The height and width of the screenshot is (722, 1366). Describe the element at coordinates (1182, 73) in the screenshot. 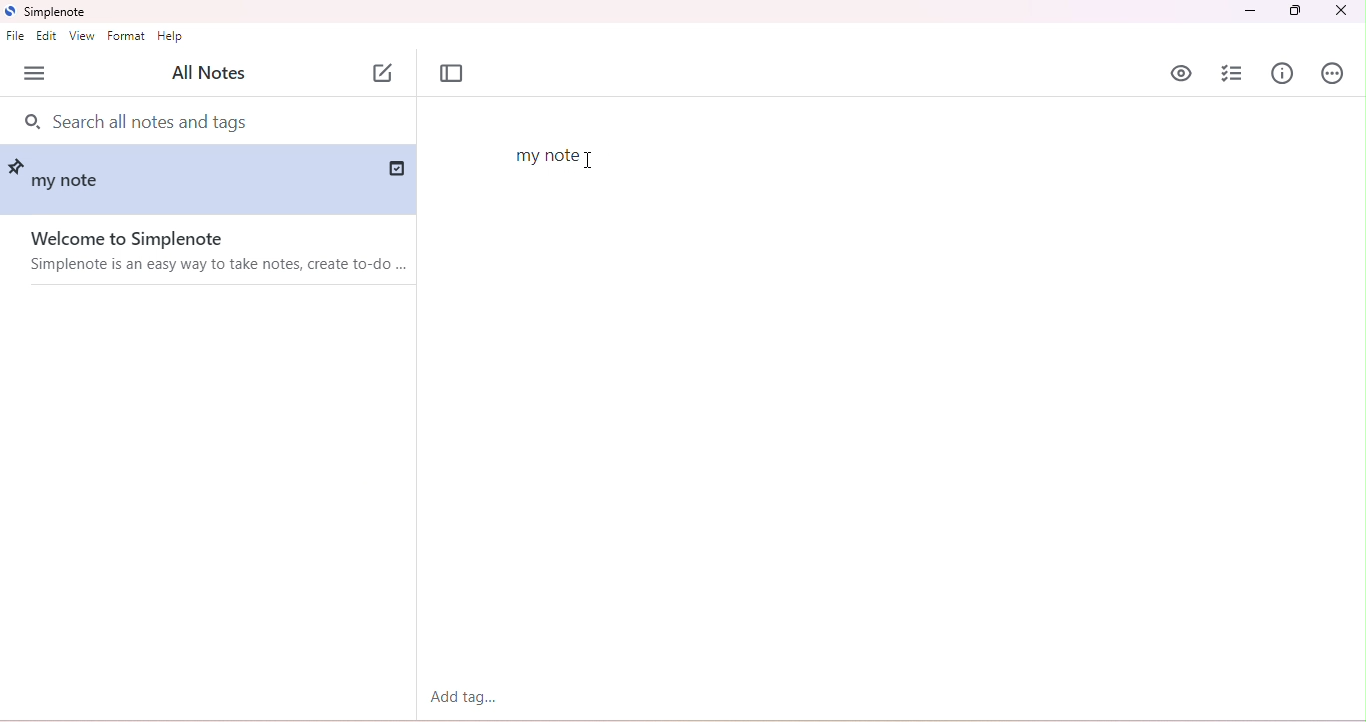

I see `preview` at that location.